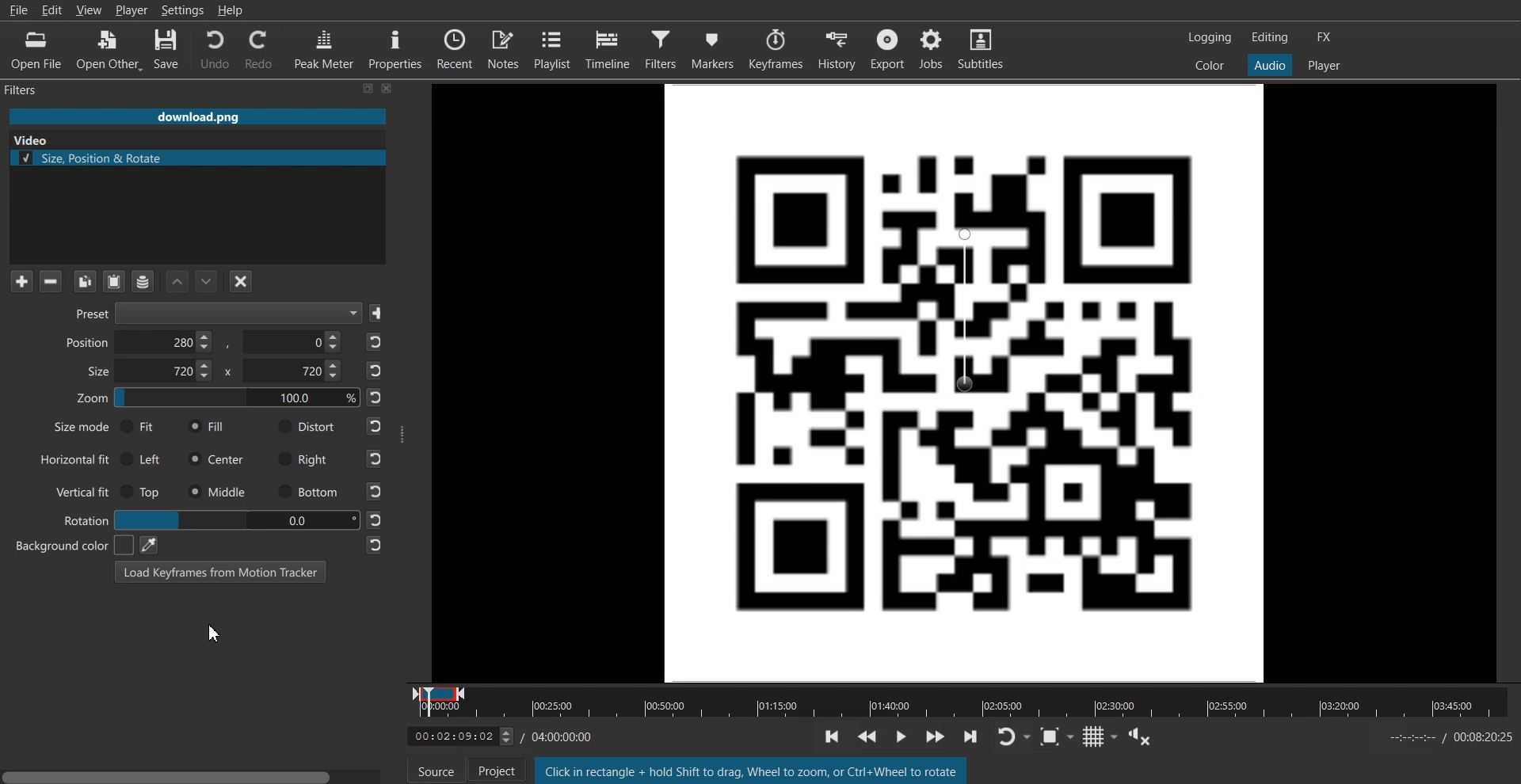  I want to click on Move filter up, so click(177, 281).